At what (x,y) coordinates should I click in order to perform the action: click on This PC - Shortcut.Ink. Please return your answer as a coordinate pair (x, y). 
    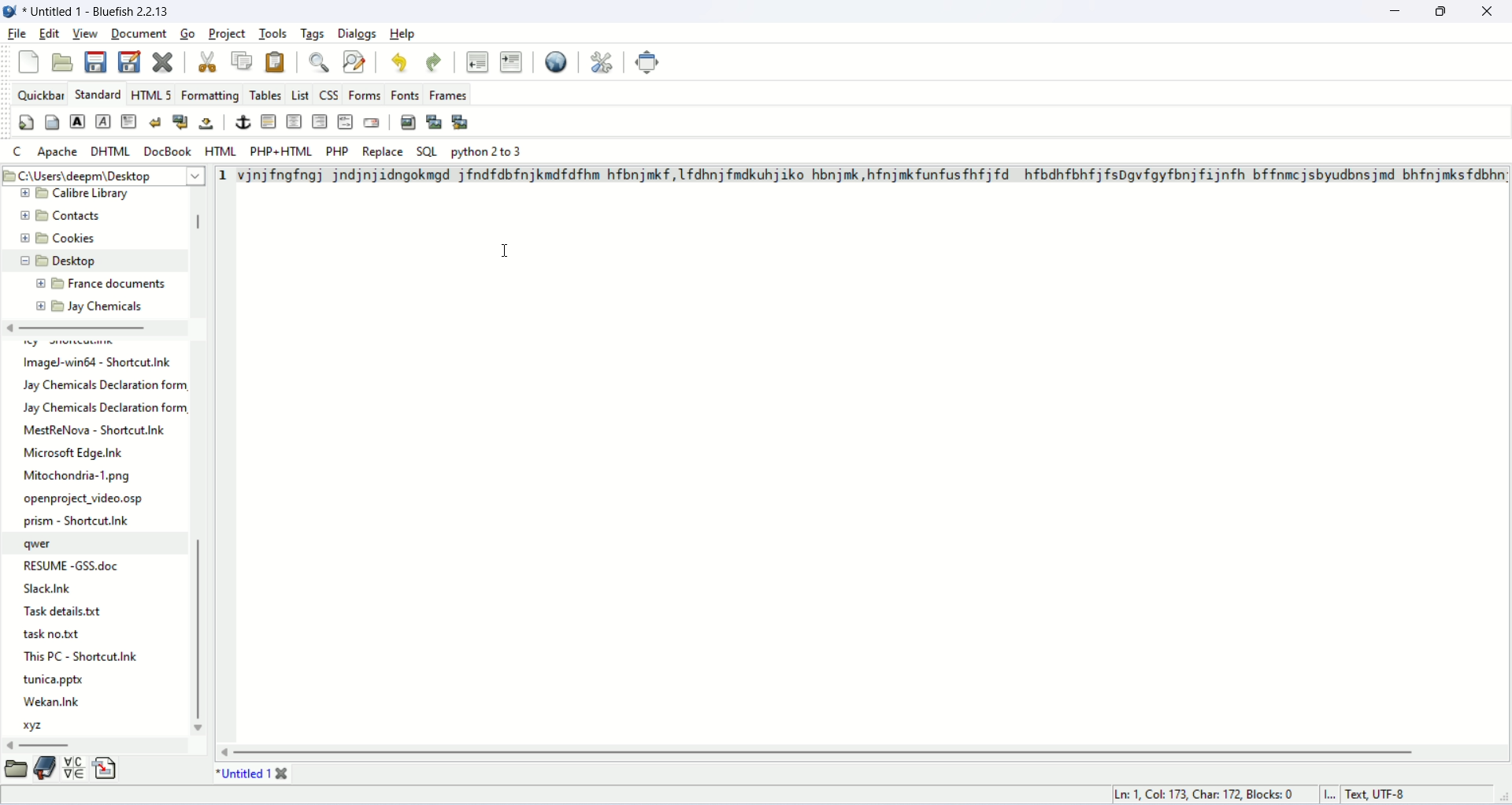
    Looking at the image, I should click on (83, 656).